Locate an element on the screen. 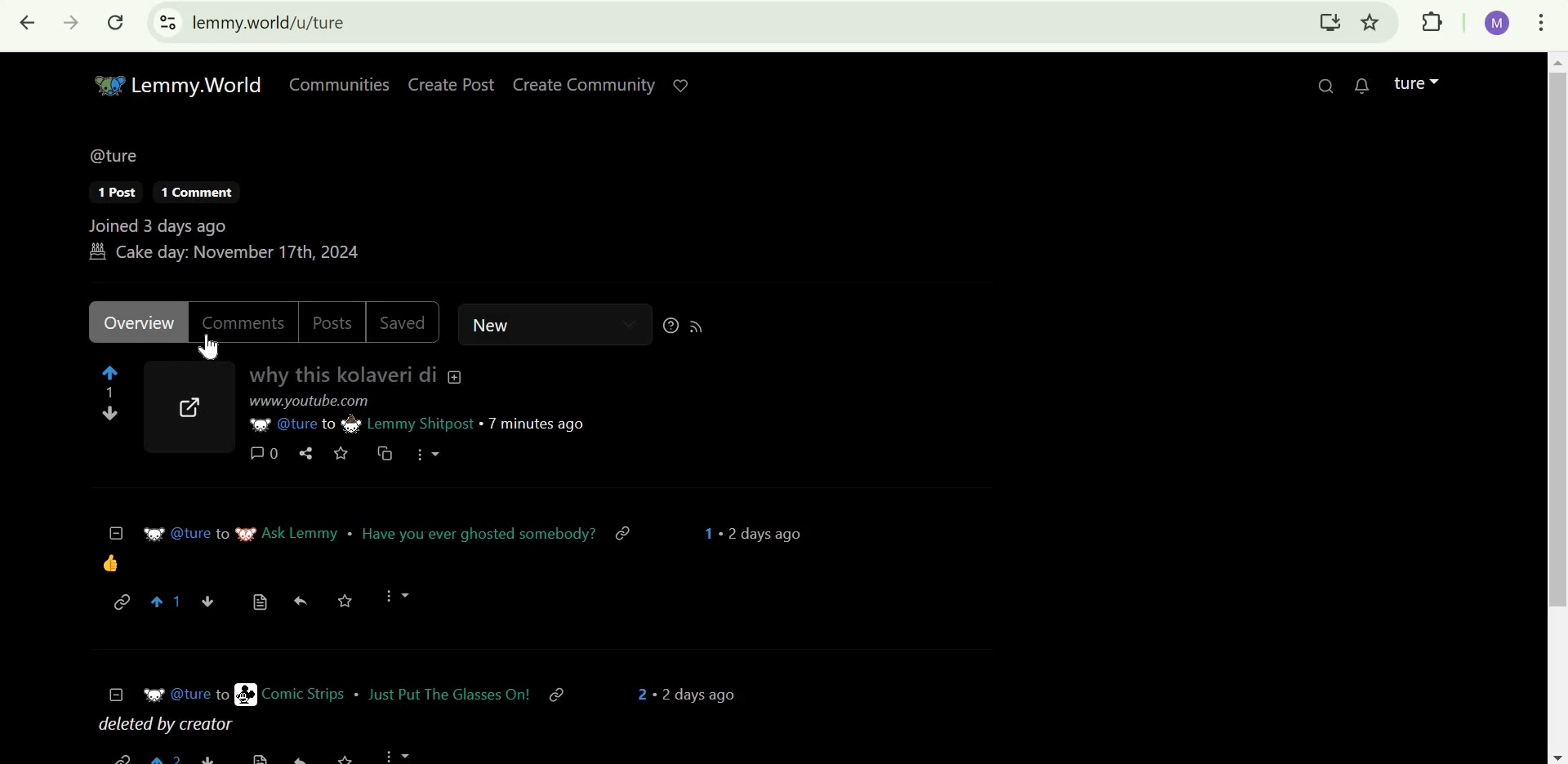 This screenshot has width=1568, height=764. more is located at coordinates (425, 455).